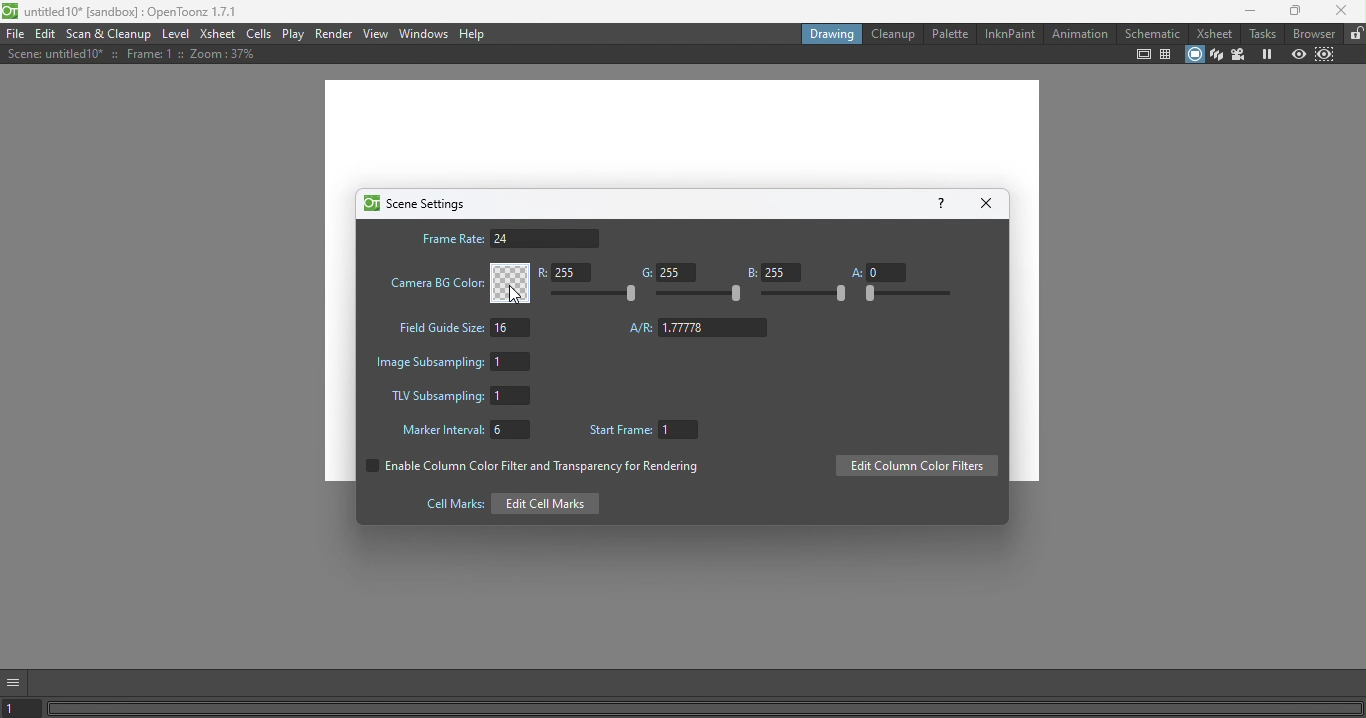  I want to click on Slide bar, so click(598, 294).